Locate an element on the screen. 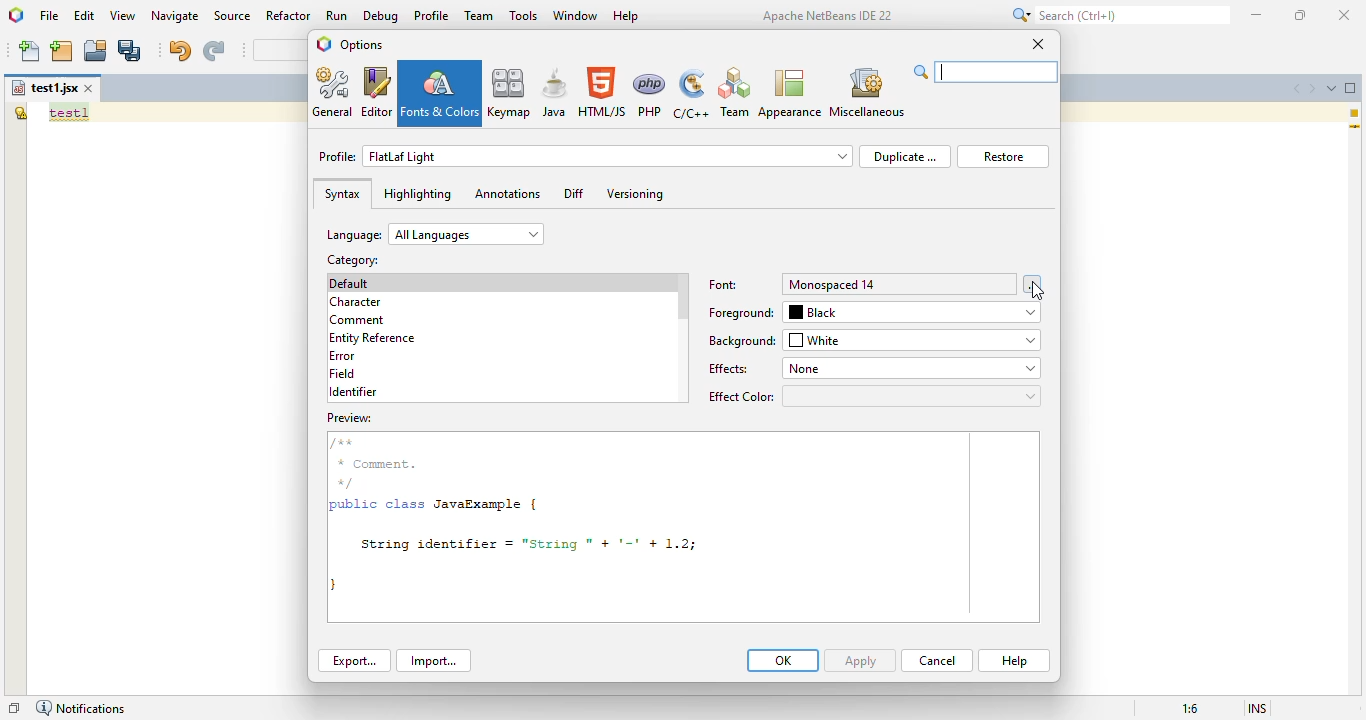 The width and height of the screenshot is (1366, 720). debug is located at coordinates (382, 16).